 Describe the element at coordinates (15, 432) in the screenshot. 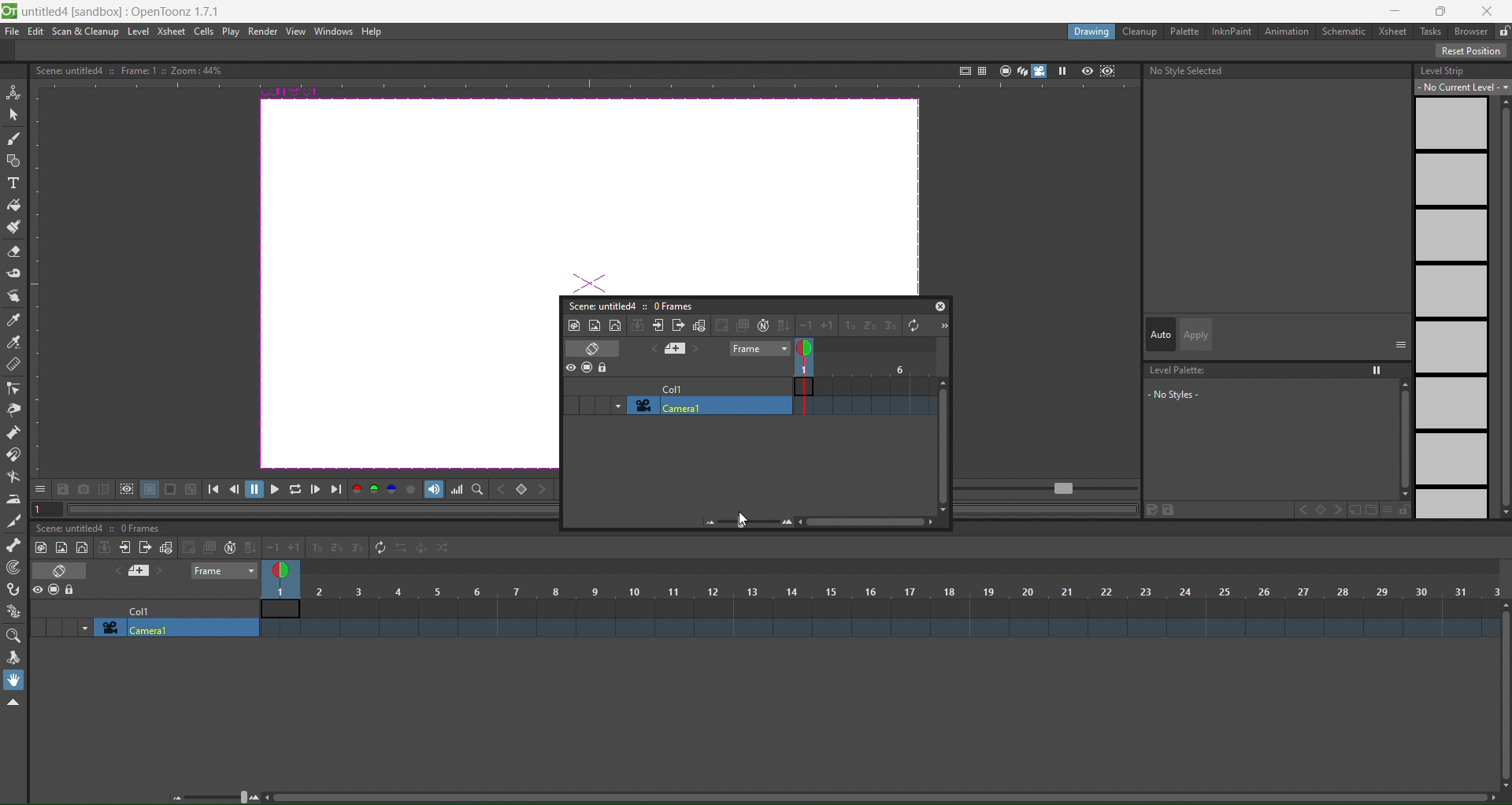

I see `pump tool` at that location.